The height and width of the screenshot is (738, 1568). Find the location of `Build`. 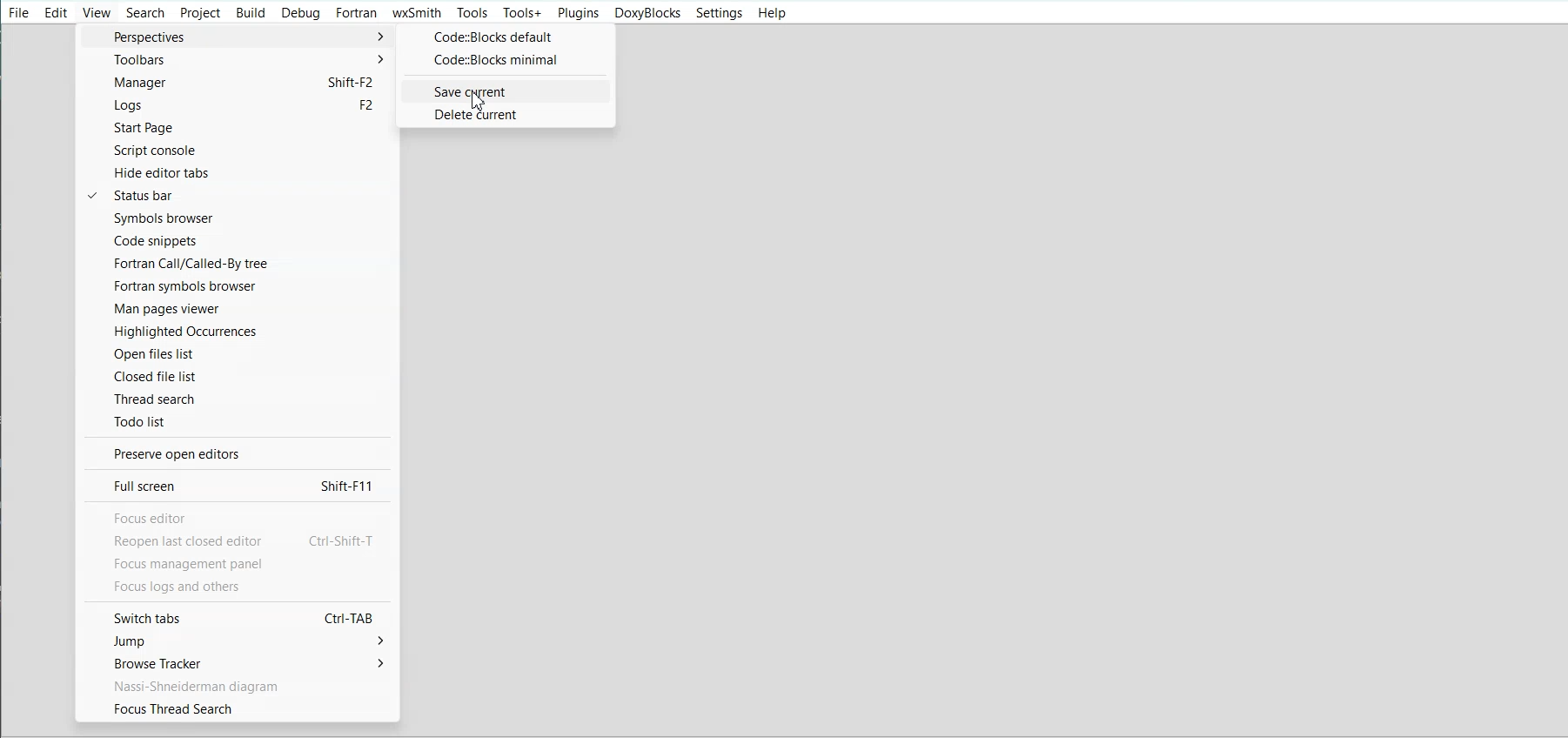

Build is located at coordinates (250, 12).